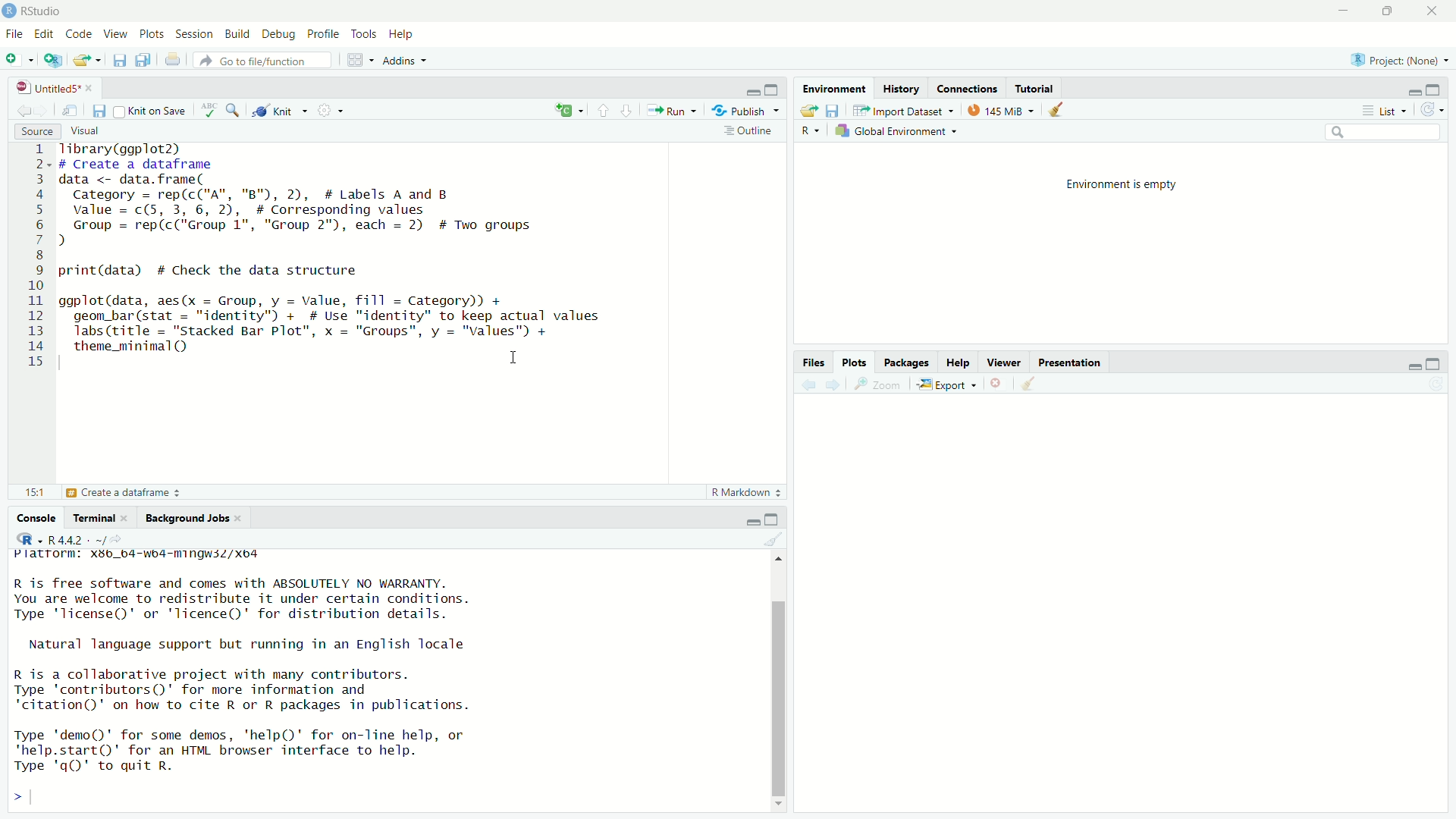 The width and height of the screenshot is (1456, 819). I want to click on Files, so click(814, 360).